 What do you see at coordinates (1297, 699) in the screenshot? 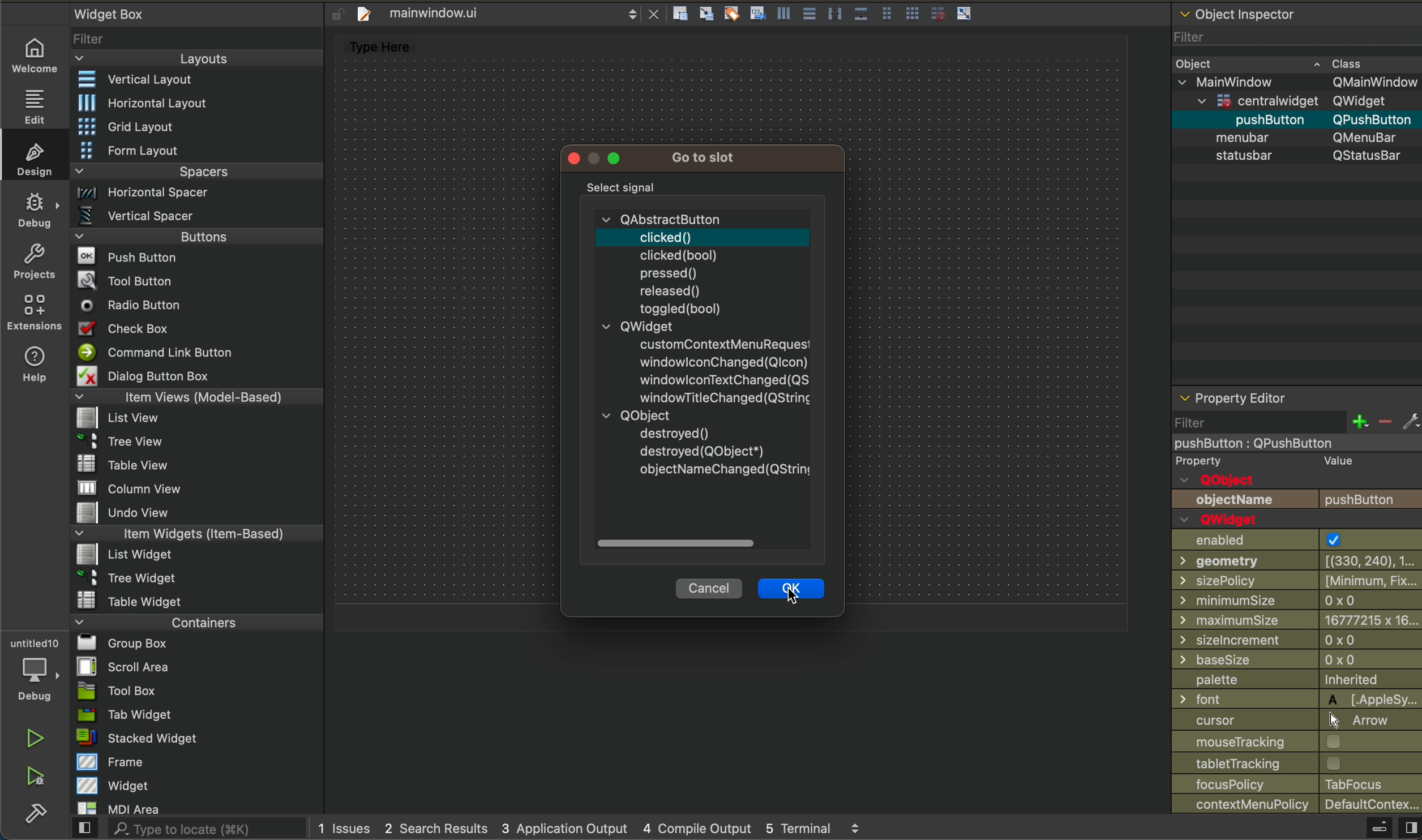
I see `font` at bounding box center [1297, 699].